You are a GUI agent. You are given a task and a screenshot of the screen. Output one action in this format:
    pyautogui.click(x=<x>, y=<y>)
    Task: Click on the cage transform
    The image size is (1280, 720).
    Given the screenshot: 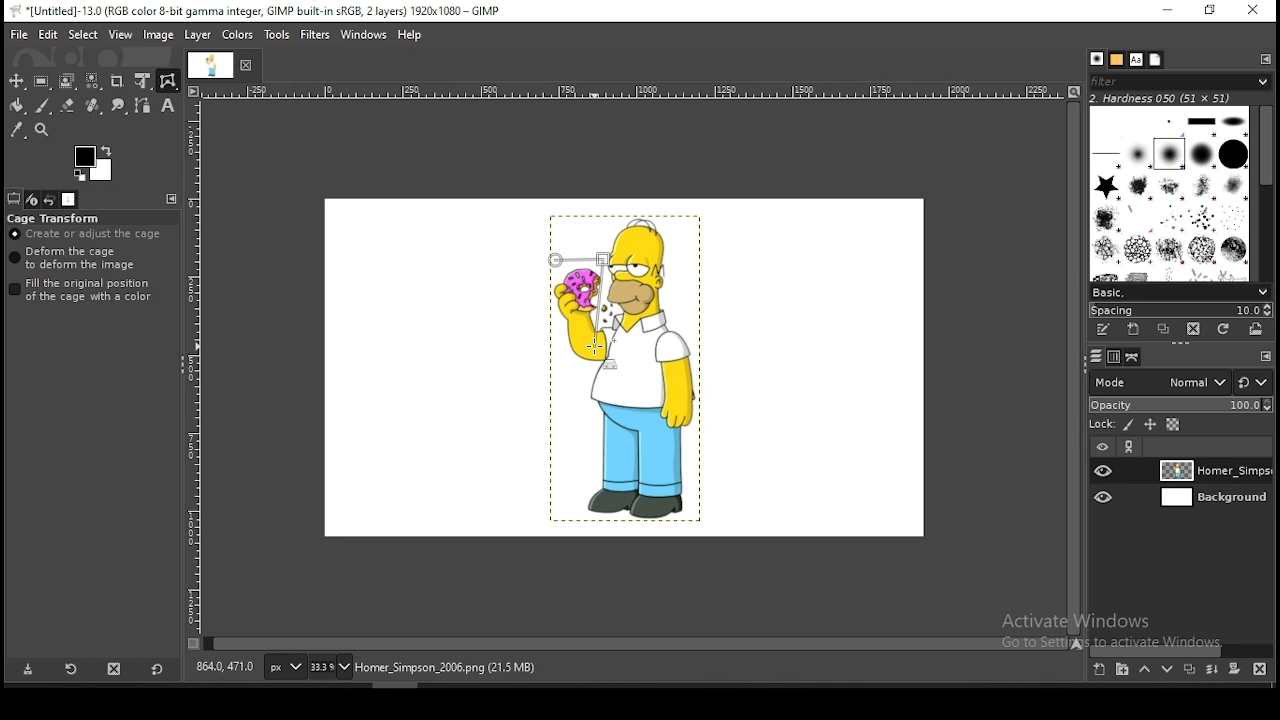 What is the action you would take?
    pyautogui.click(x=168, y=81)
    